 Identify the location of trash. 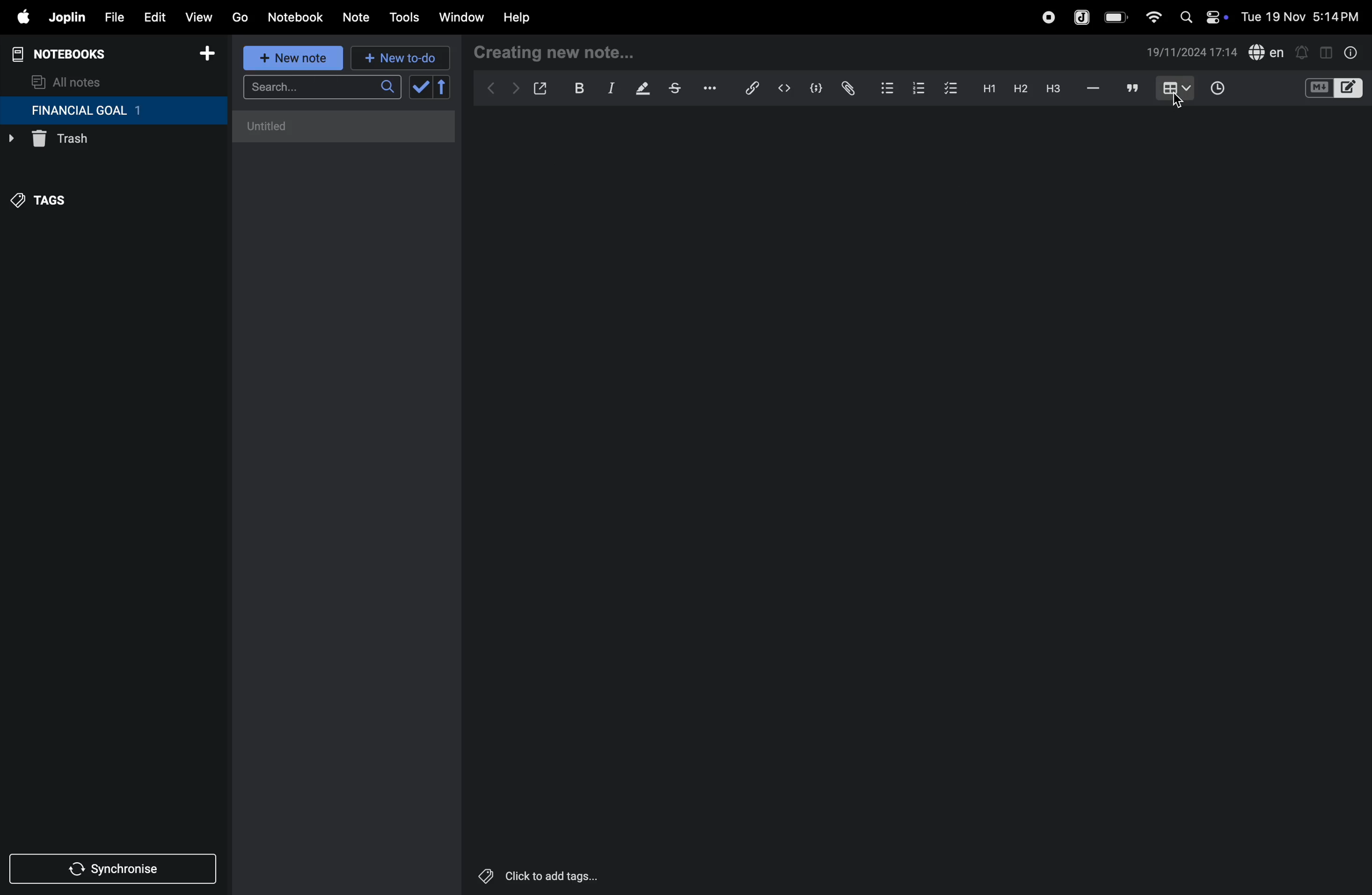
(89, 142).